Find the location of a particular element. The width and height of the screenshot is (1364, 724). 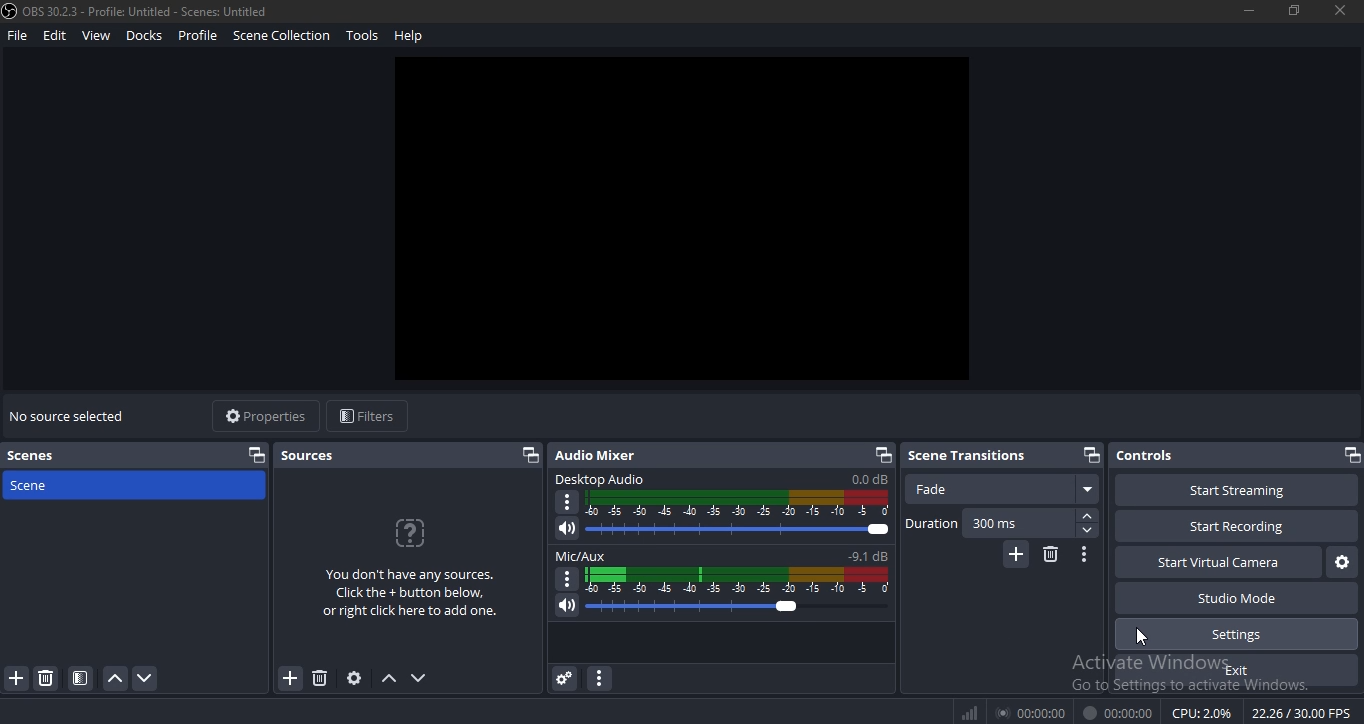

volume slider is located at coordinates (725, 531).